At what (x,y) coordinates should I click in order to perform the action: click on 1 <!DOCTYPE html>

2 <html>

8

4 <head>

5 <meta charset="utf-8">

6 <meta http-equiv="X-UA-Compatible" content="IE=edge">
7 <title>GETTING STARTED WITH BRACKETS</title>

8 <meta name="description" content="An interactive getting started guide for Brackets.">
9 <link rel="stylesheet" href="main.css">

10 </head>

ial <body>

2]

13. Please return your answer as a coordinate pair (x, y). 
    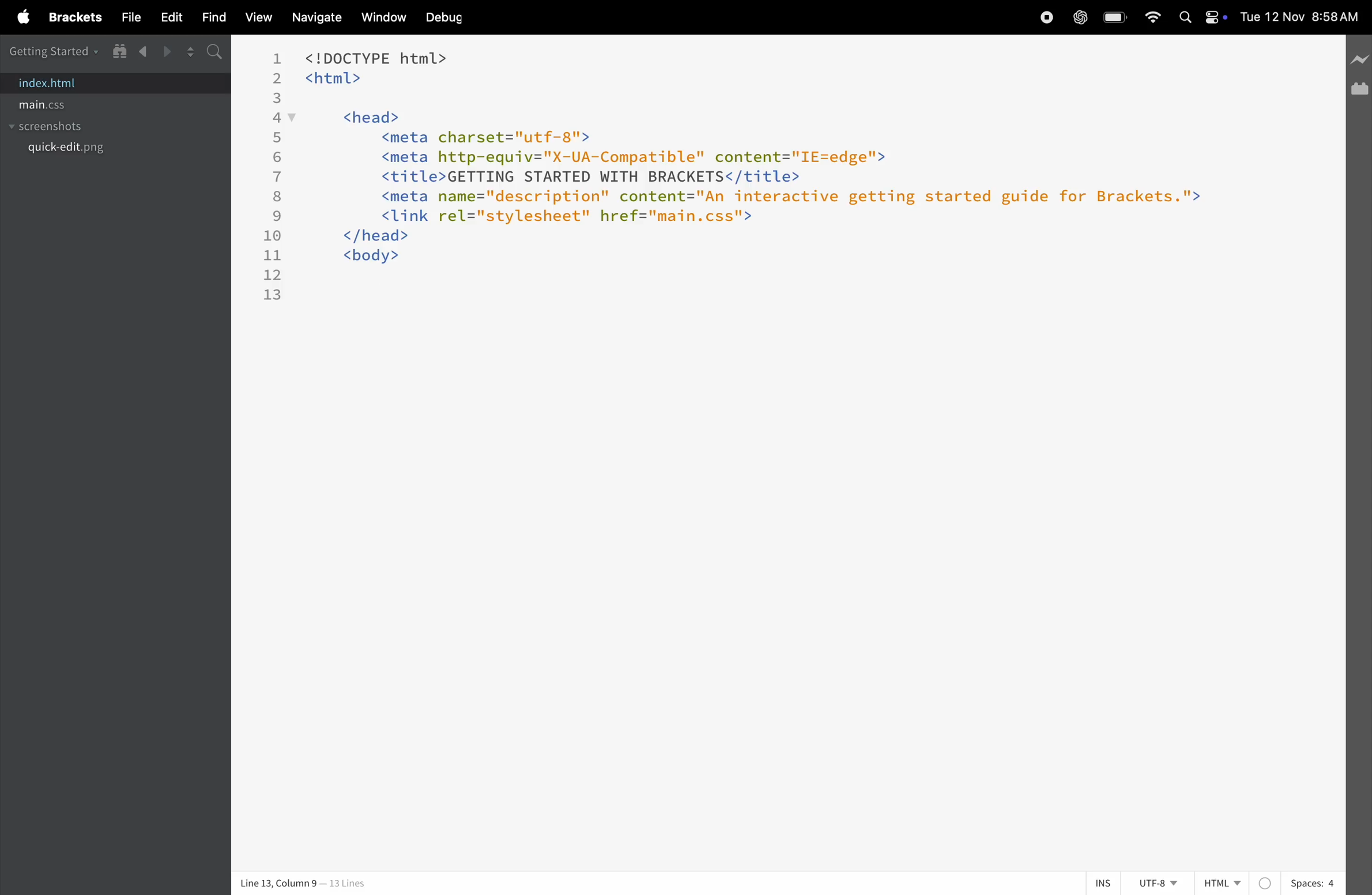
    Looking at the image, I should click on (745, 179).